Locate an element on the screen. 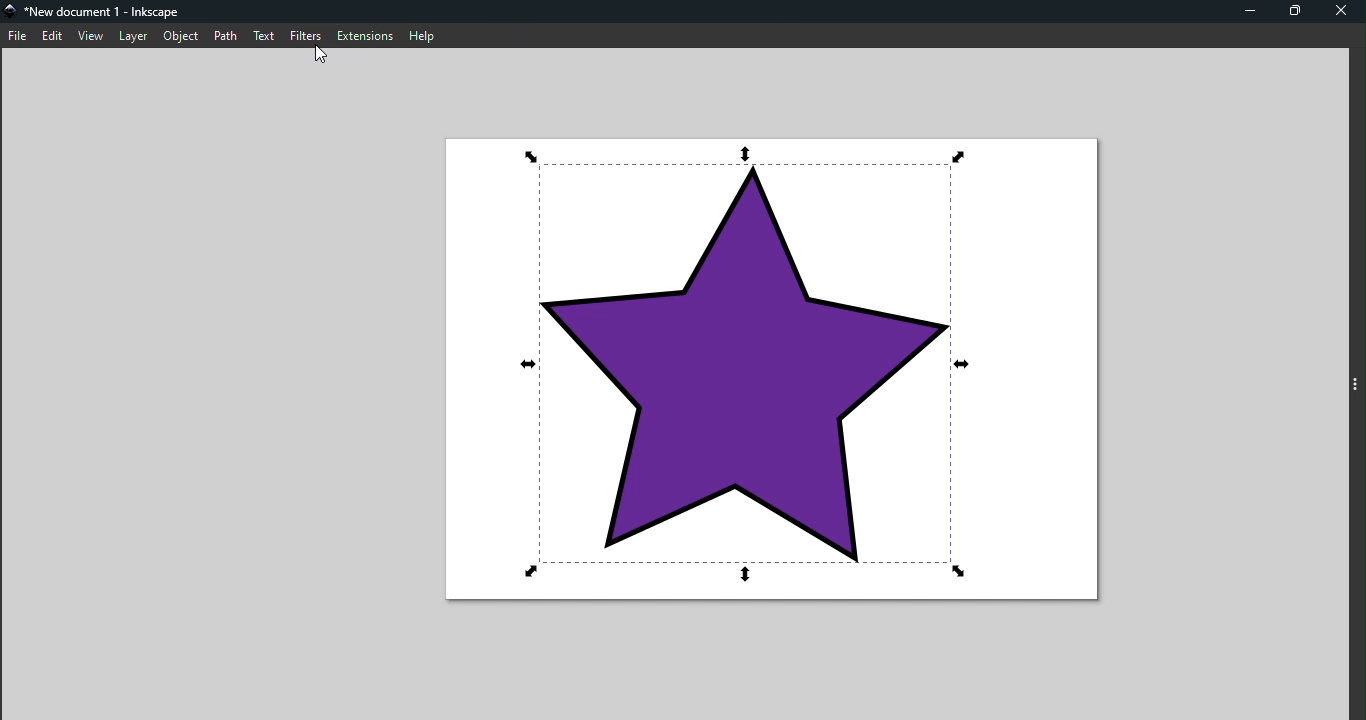 The image size is (1366, 720). Path is located at coordinates (226, 36).